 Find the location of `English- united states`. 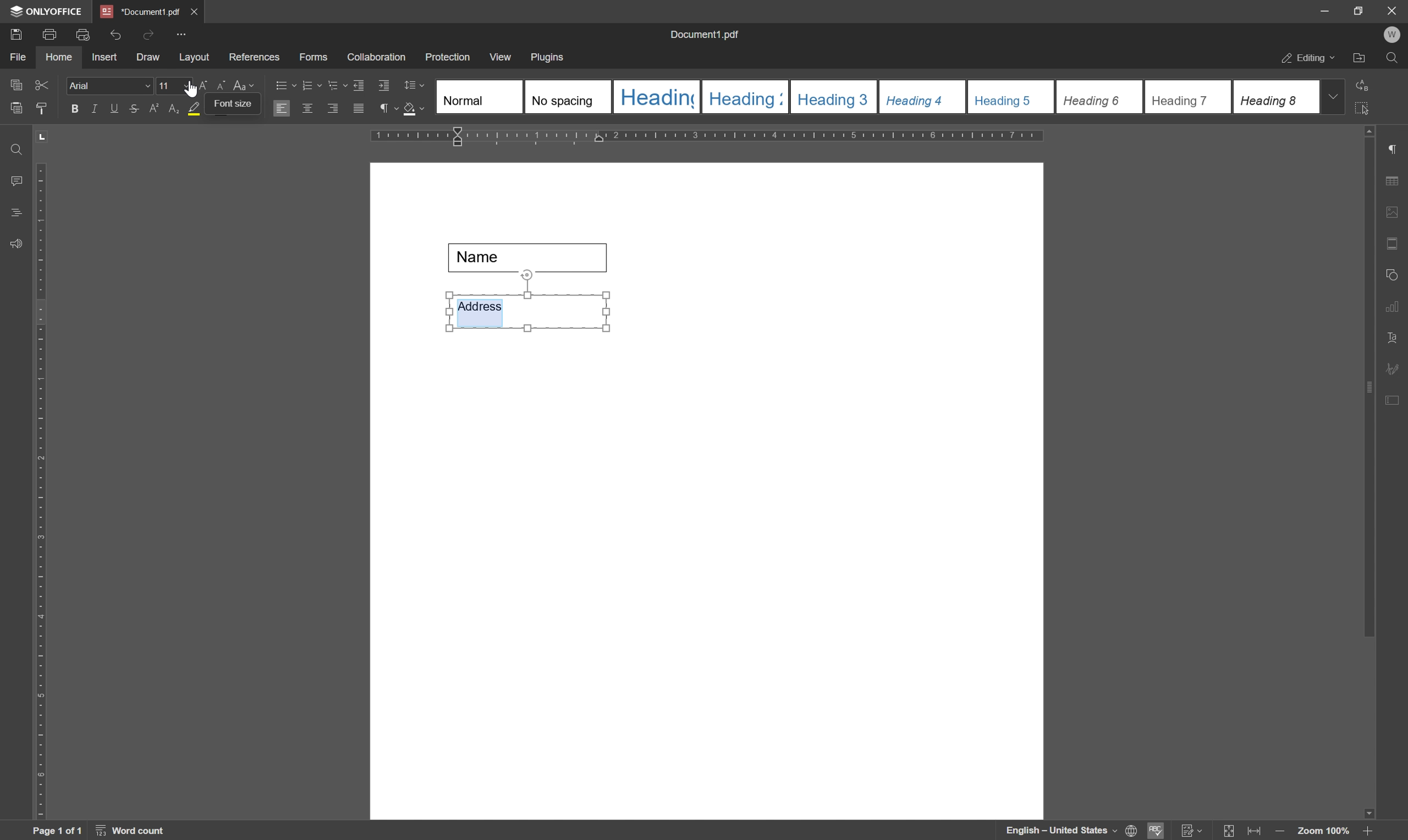

English- united states is located at coordinates (1072, 831).